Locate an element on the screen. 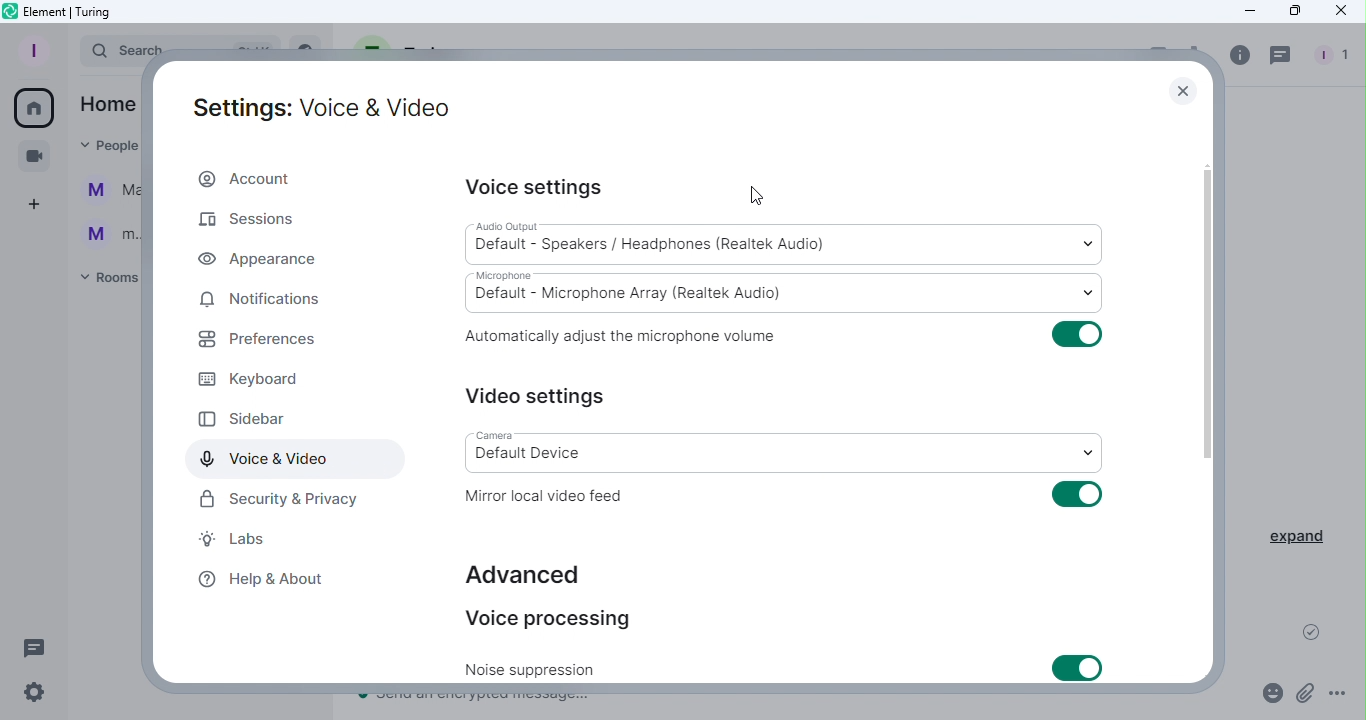 The image size is (1366, 720). Audio output is located at coordinates (785, 242).